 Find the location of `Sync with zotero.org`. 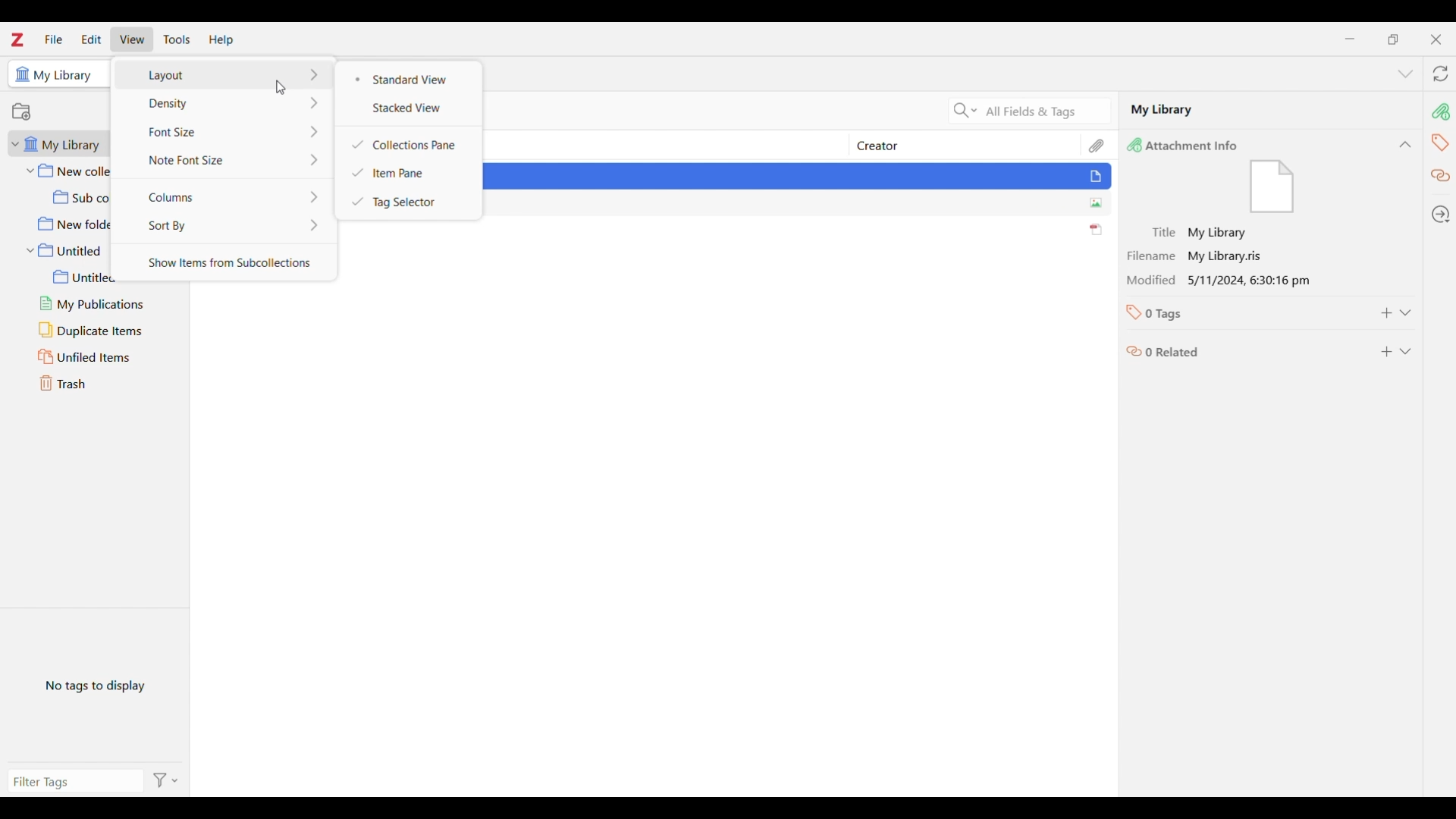

Sync with zotero.org is located at coordinates (1440, 74).